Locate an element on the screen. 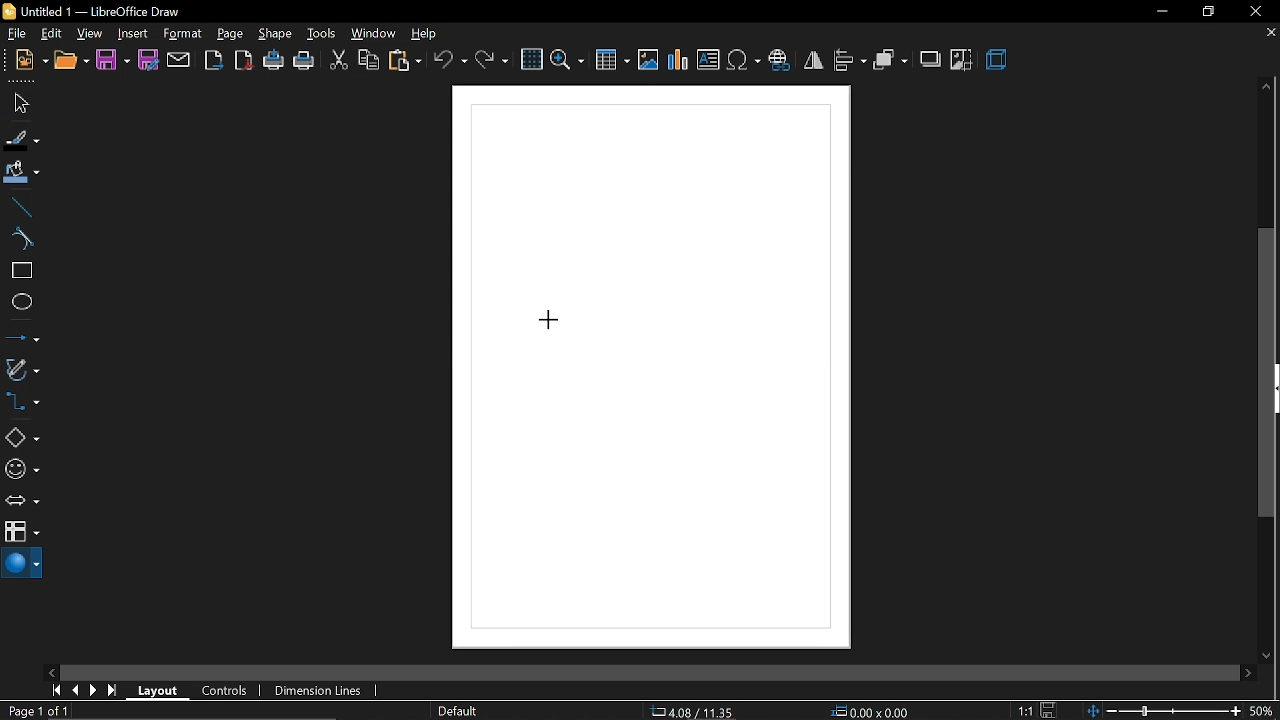 The width and height of the screenshot is (1280, 720). flowchart is located at coordinates (22, 531).